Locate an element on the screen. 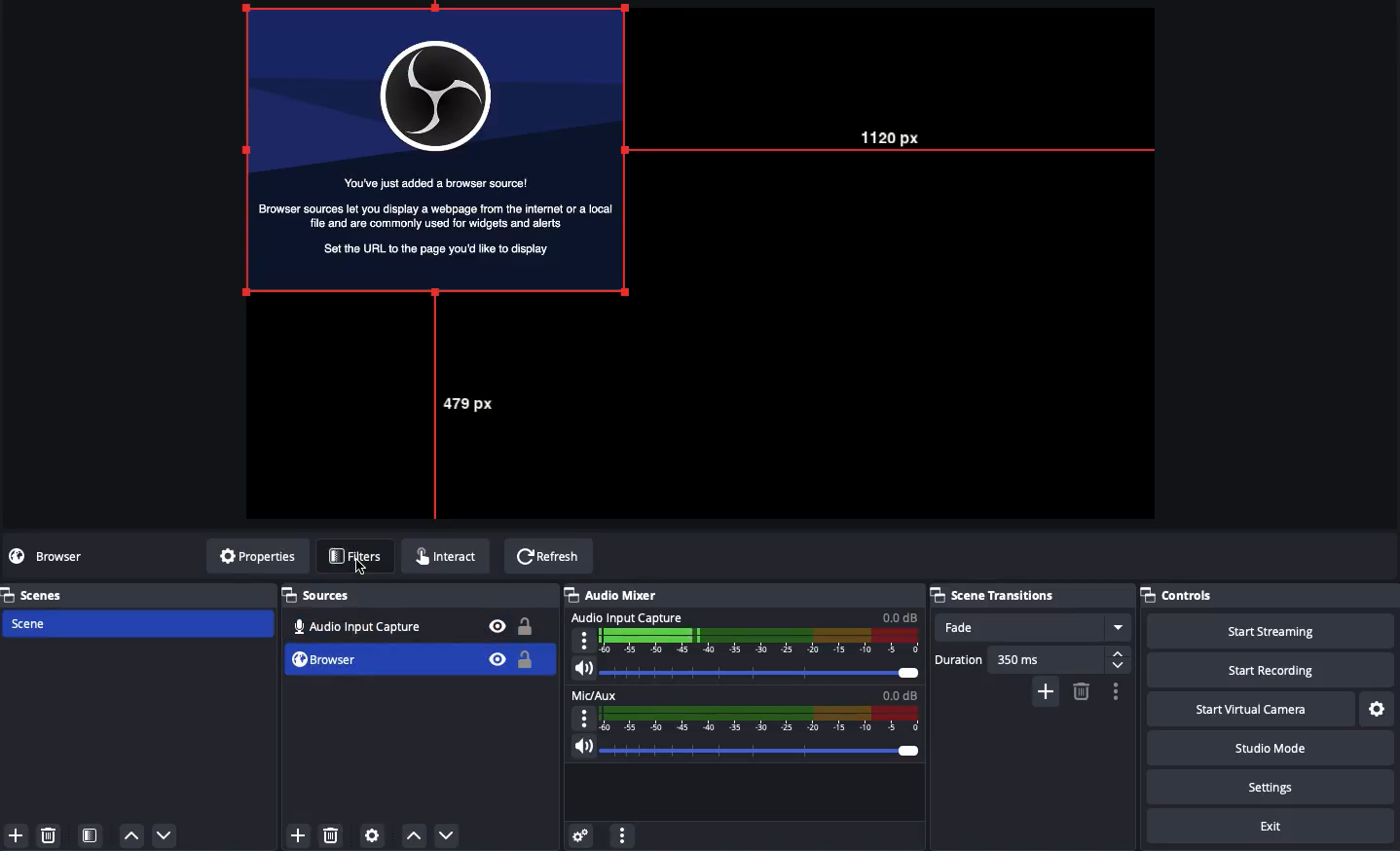  Scene transitions is located at coordinates (1032, 595).